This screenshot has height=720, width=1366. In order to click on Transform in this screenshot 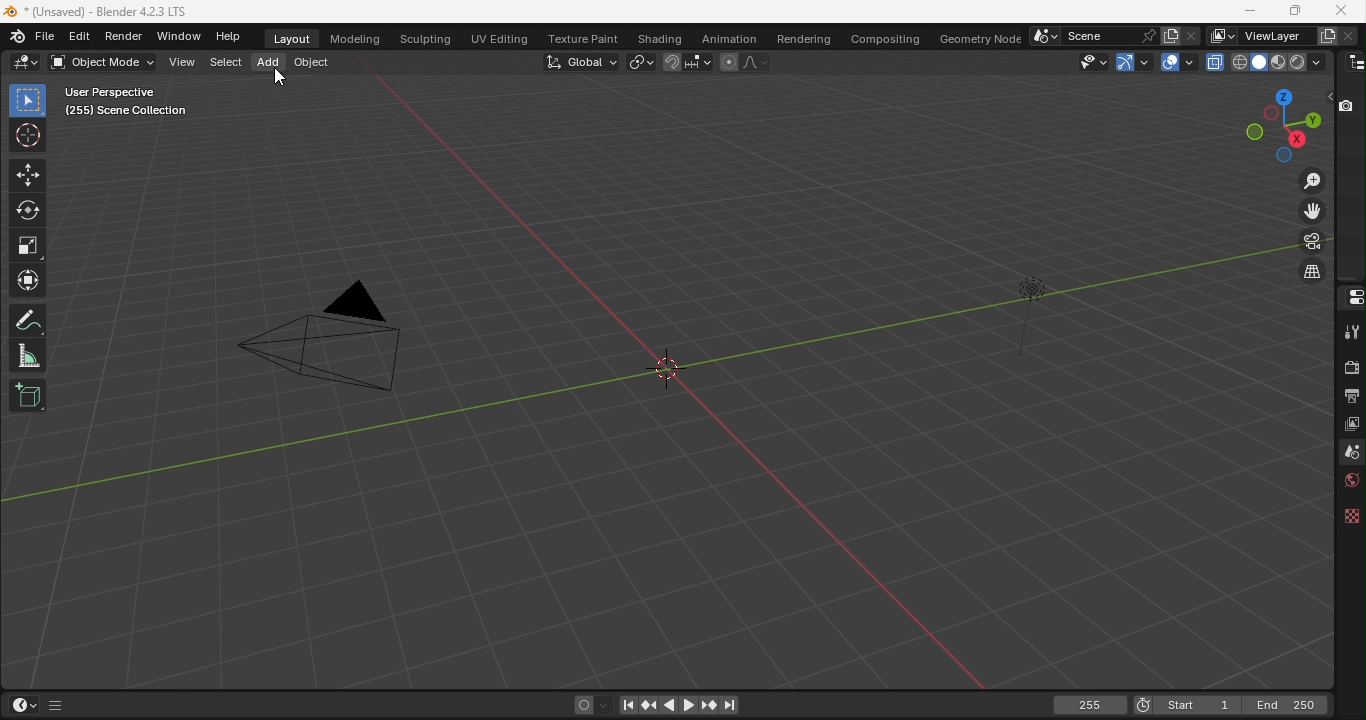, I will do `click(28, 282)`.